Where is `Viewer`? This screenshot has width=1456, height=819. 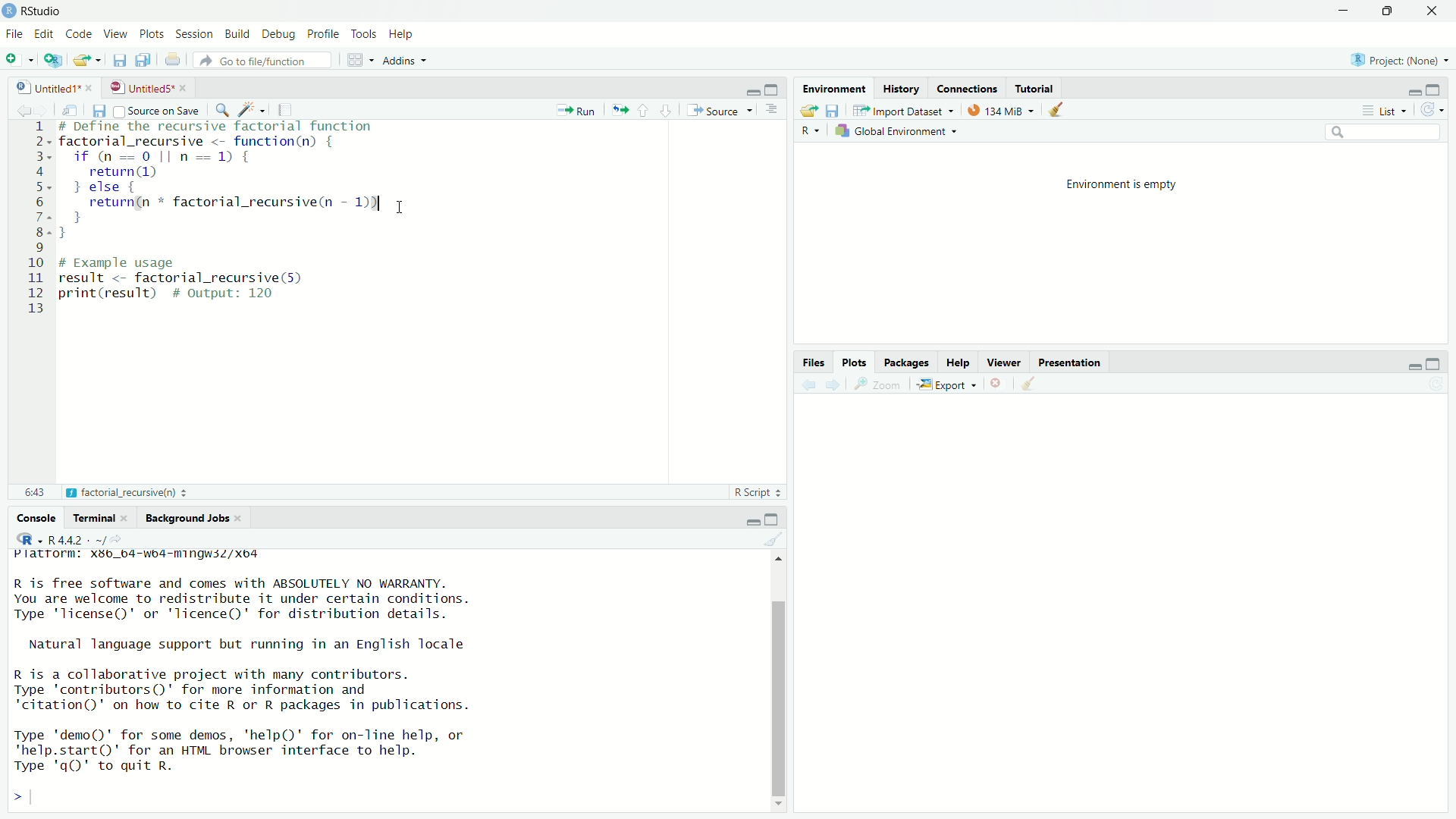 Viewer is located at coordinates (1006, 360).